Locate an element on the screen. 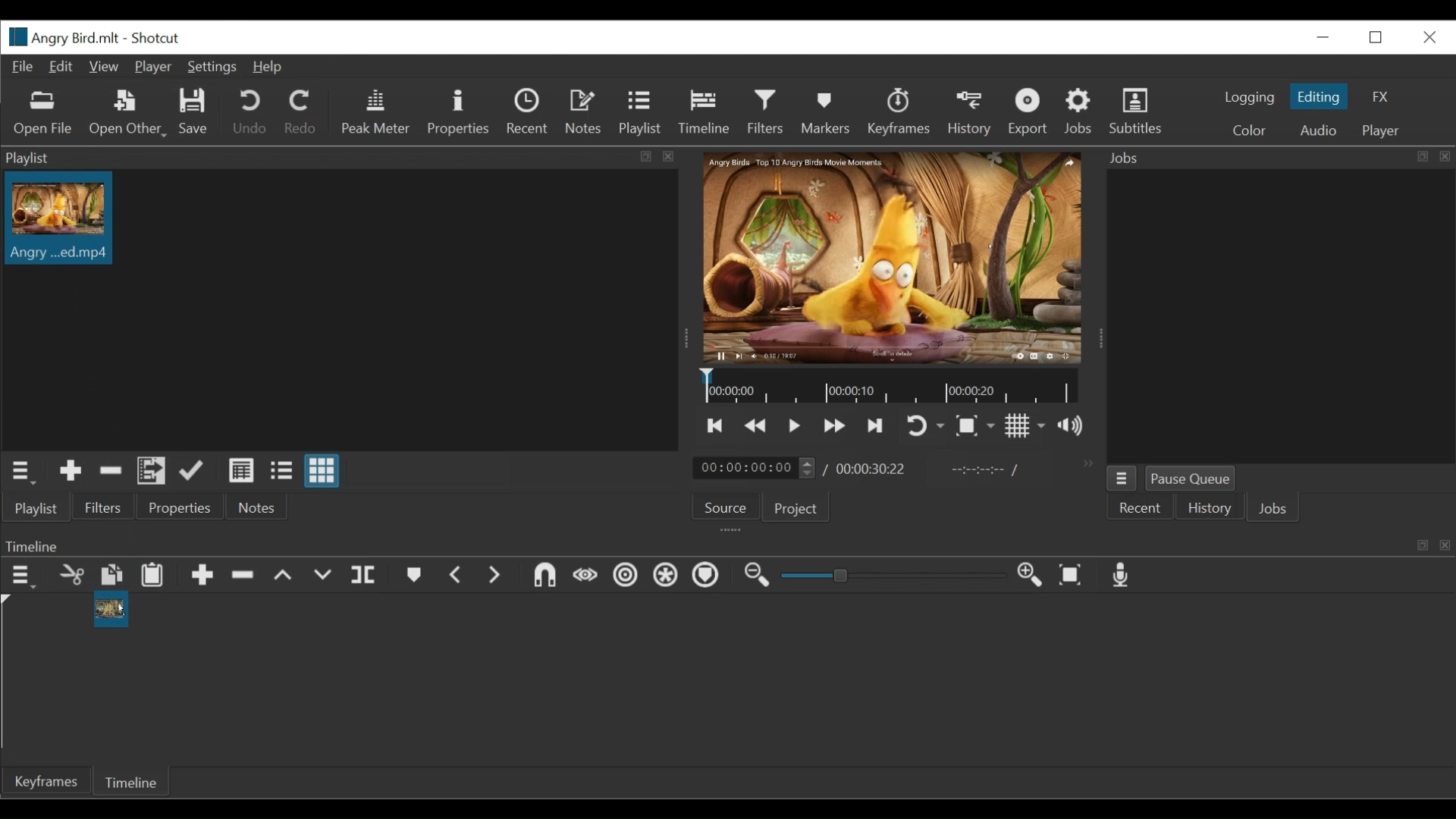  markers is located at coordinates (415, 576).